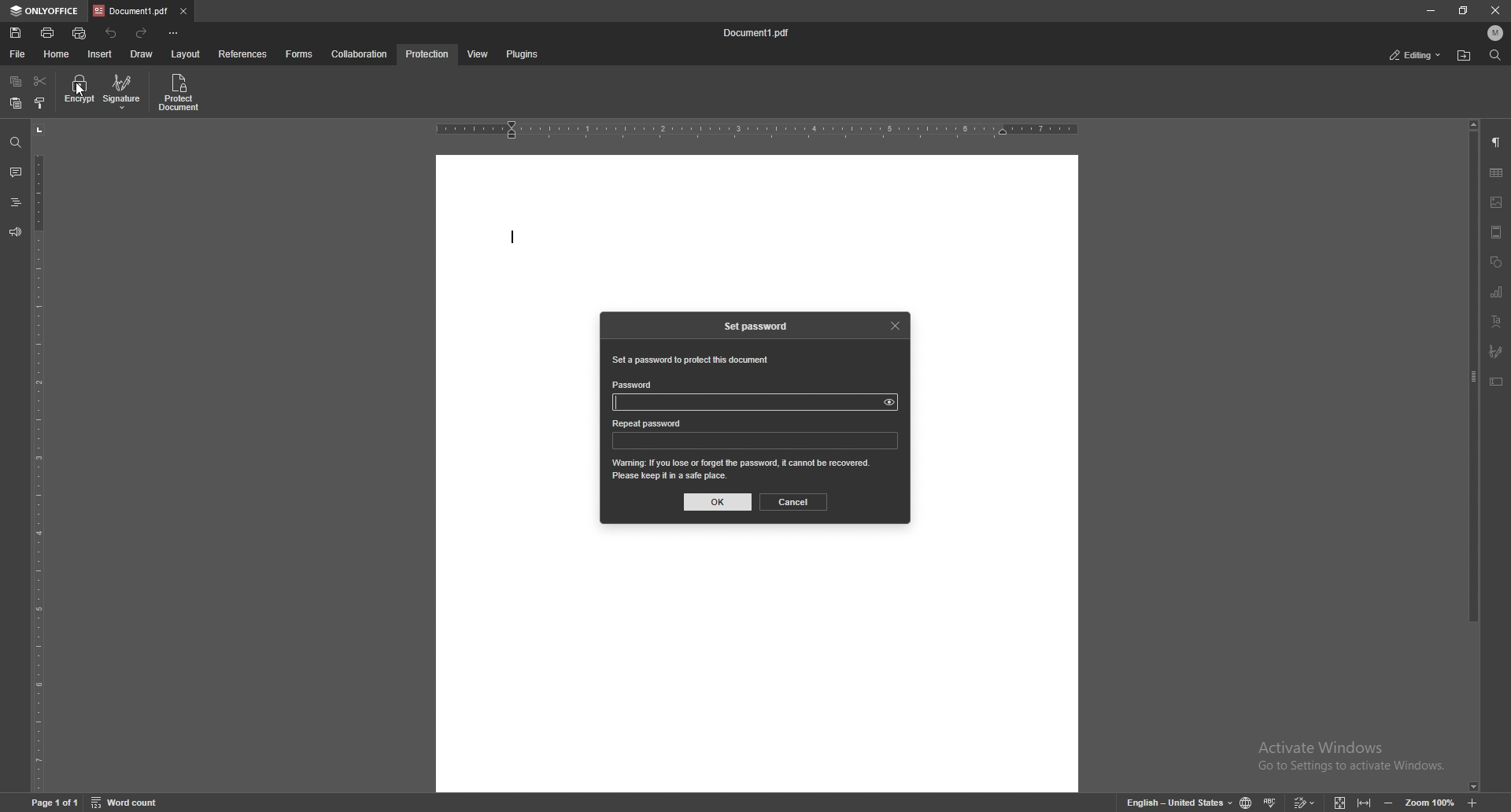 Image resolution: width=1511 pixels, height=812 pixels. What do you see at coordinates (1497, 382) in the screenshot?
I see `text box` at bounding box center [1497, 382].